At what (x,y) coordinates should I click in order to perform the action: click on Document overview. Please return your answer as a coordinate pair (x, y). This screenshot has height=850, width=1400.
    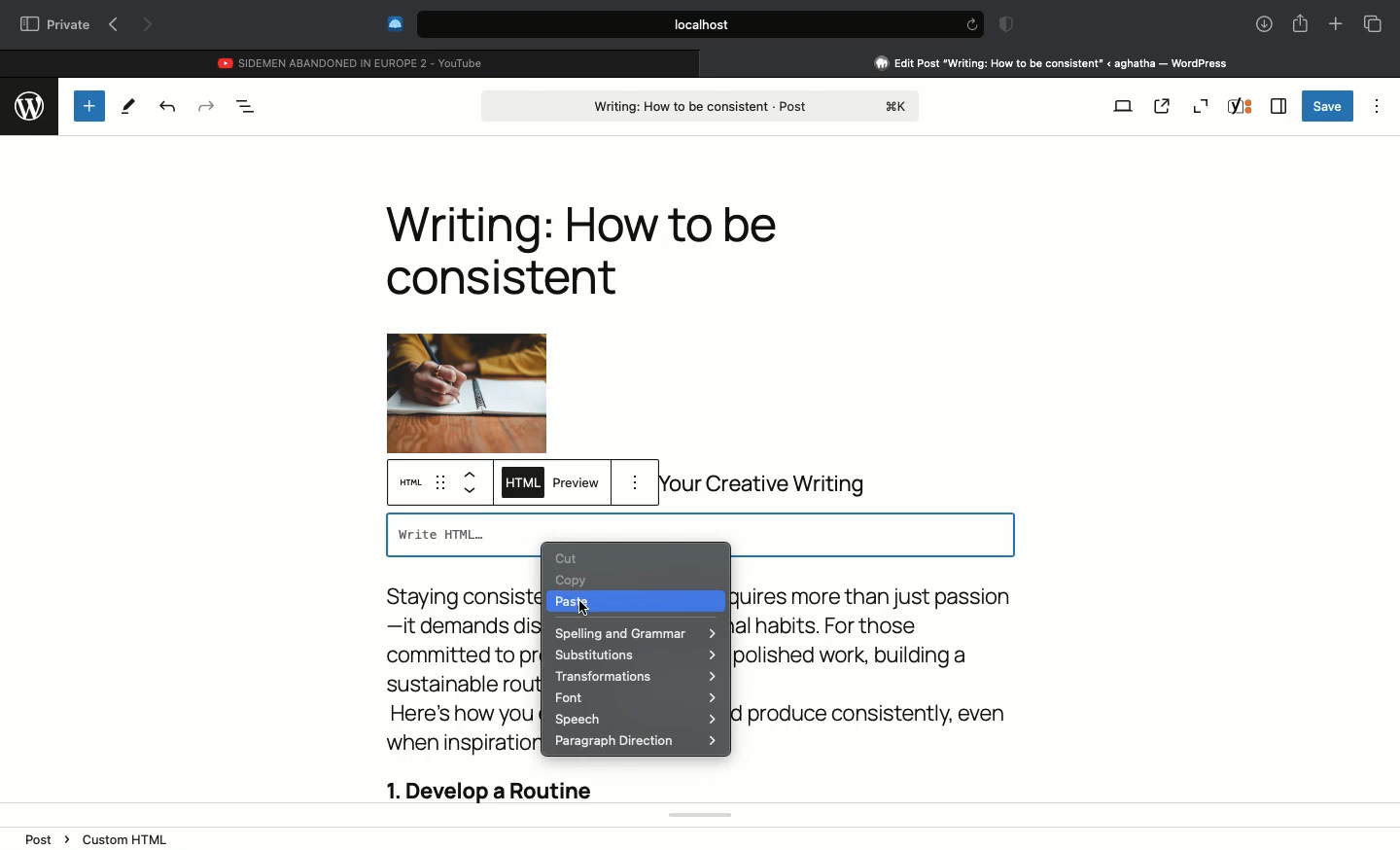
    Looking at the image, I should click on (247, 106).